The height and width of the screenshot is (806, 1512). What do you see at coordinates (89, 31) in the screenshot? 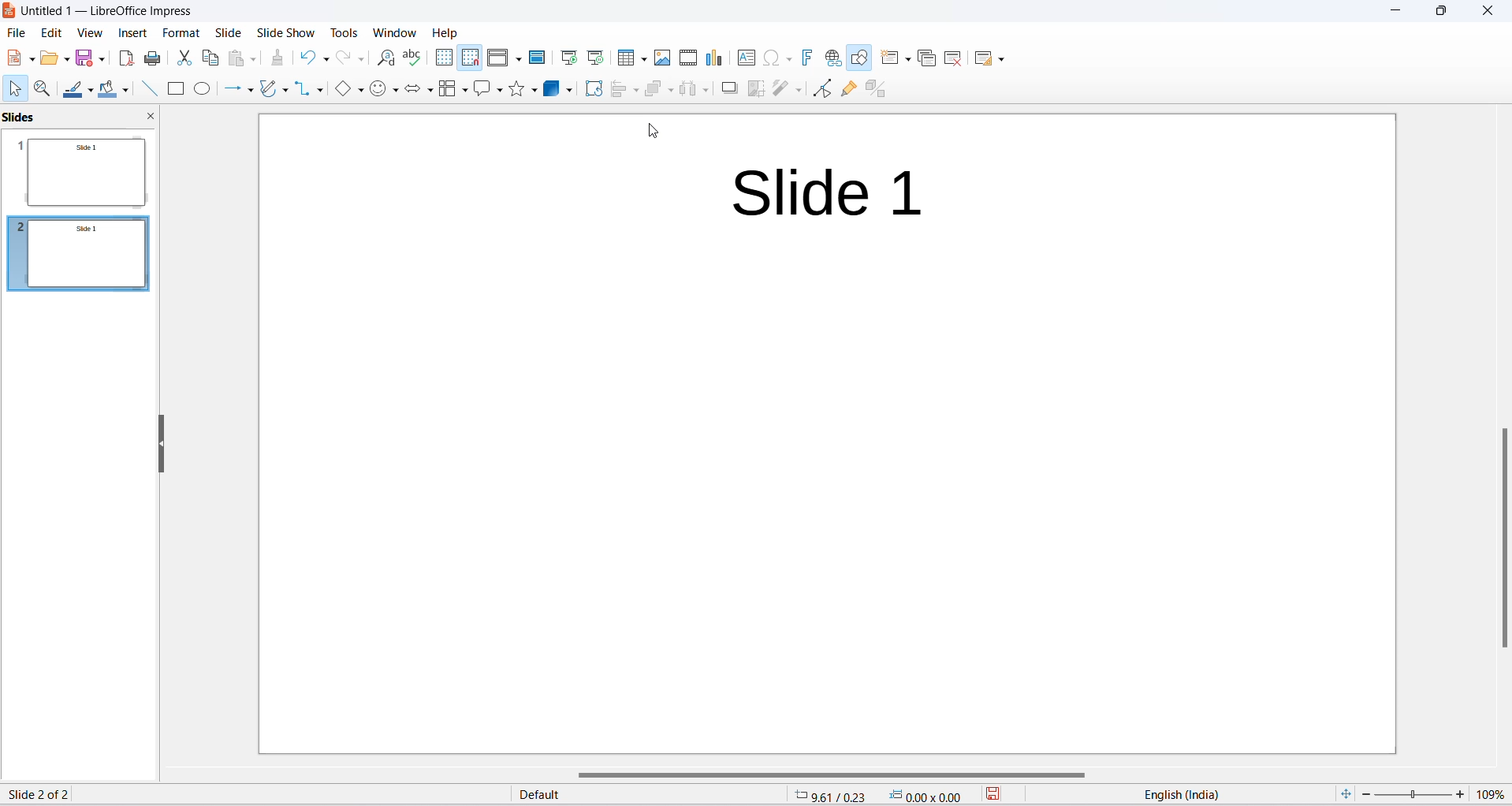
I see `view` at bounding box center [89, 31].